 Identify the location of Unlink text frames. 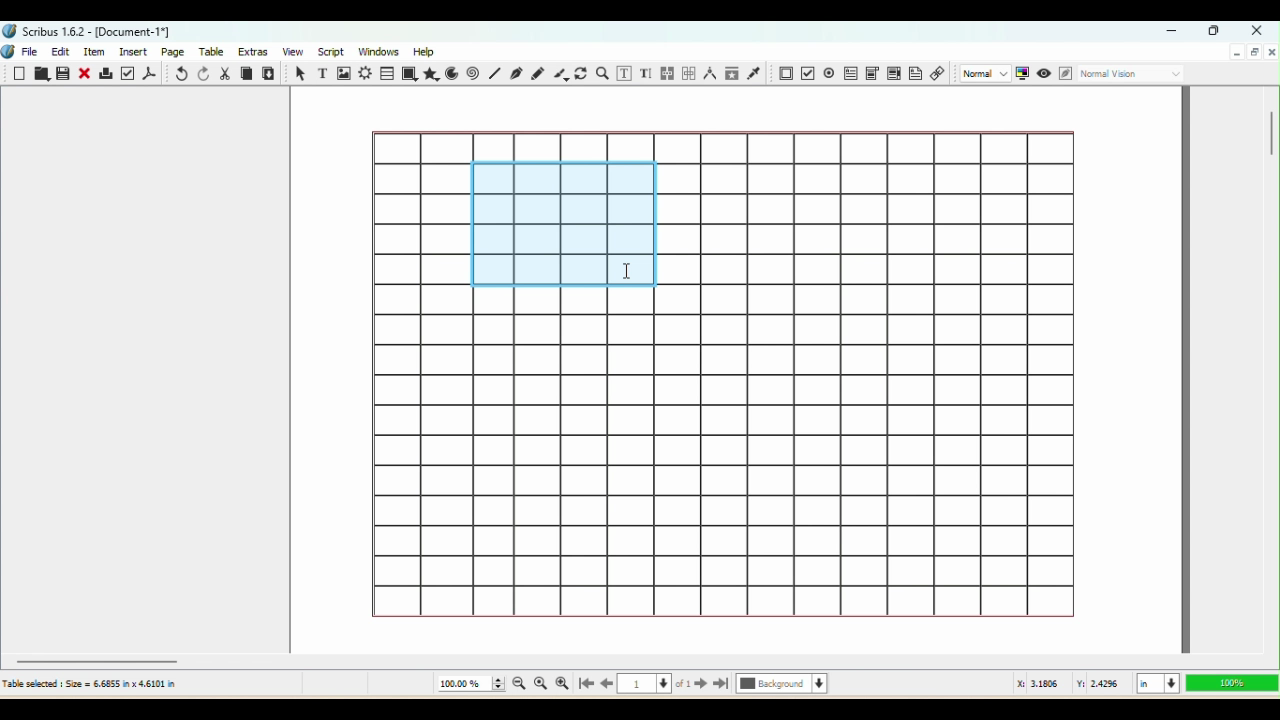
(687, 72).